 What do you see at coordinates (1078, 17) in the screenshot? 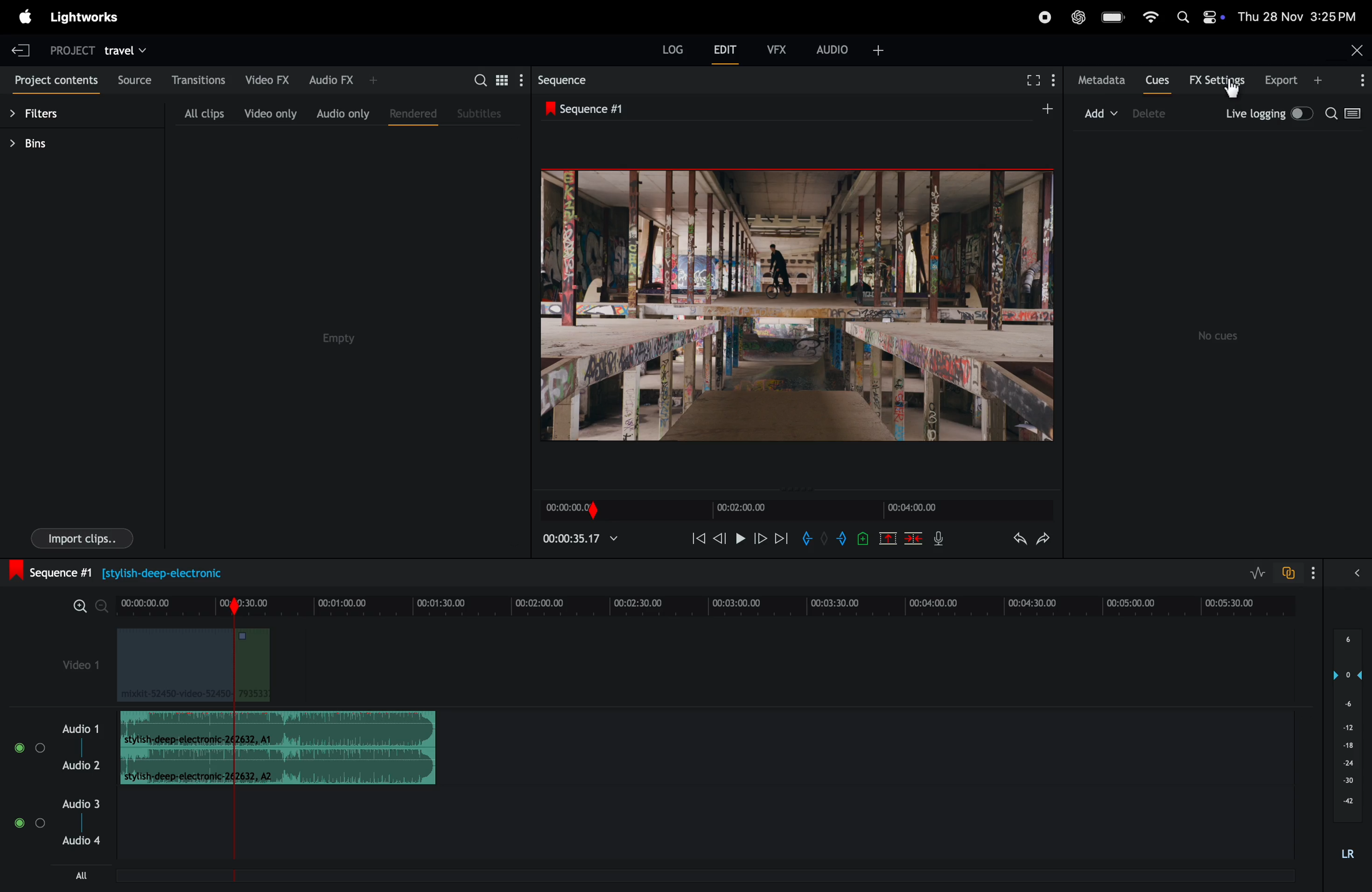
I see `chatgpt` at bounding box center [1078, 17].